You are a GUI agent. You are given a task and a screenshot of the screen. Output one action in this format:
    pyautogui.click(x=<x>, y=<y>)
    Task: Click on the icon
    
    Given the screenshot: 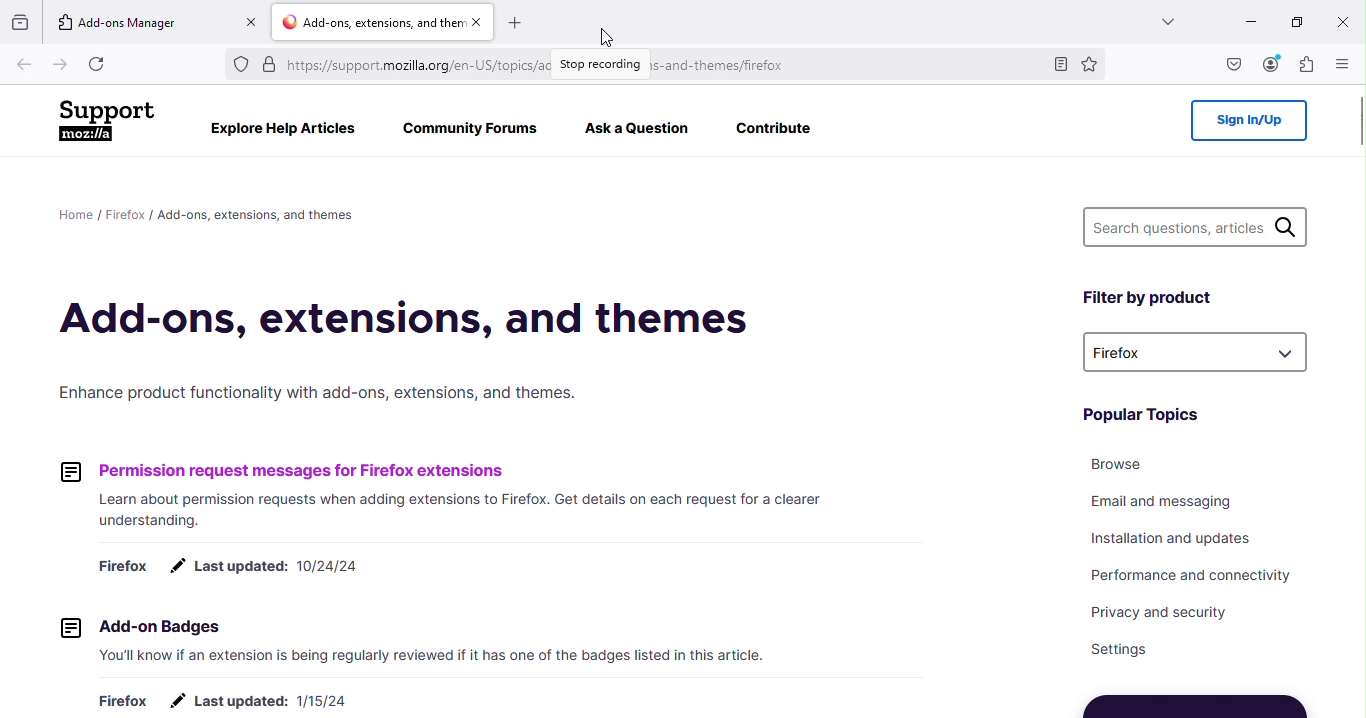 What is the action you would take?
    pyautogui.click(x=69, y=625)
    